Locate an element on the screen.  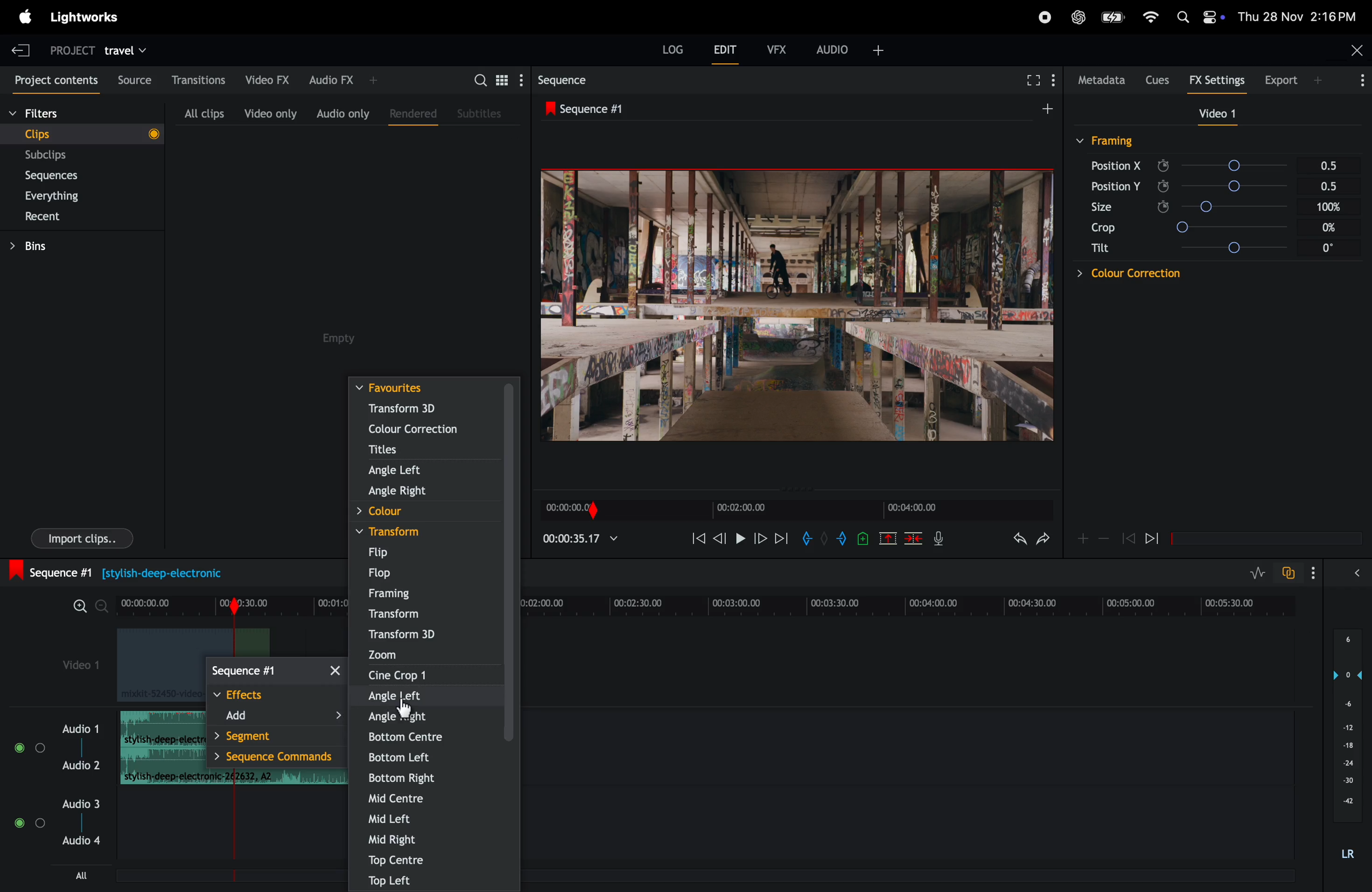
empty is located at coordinates (342, 338).